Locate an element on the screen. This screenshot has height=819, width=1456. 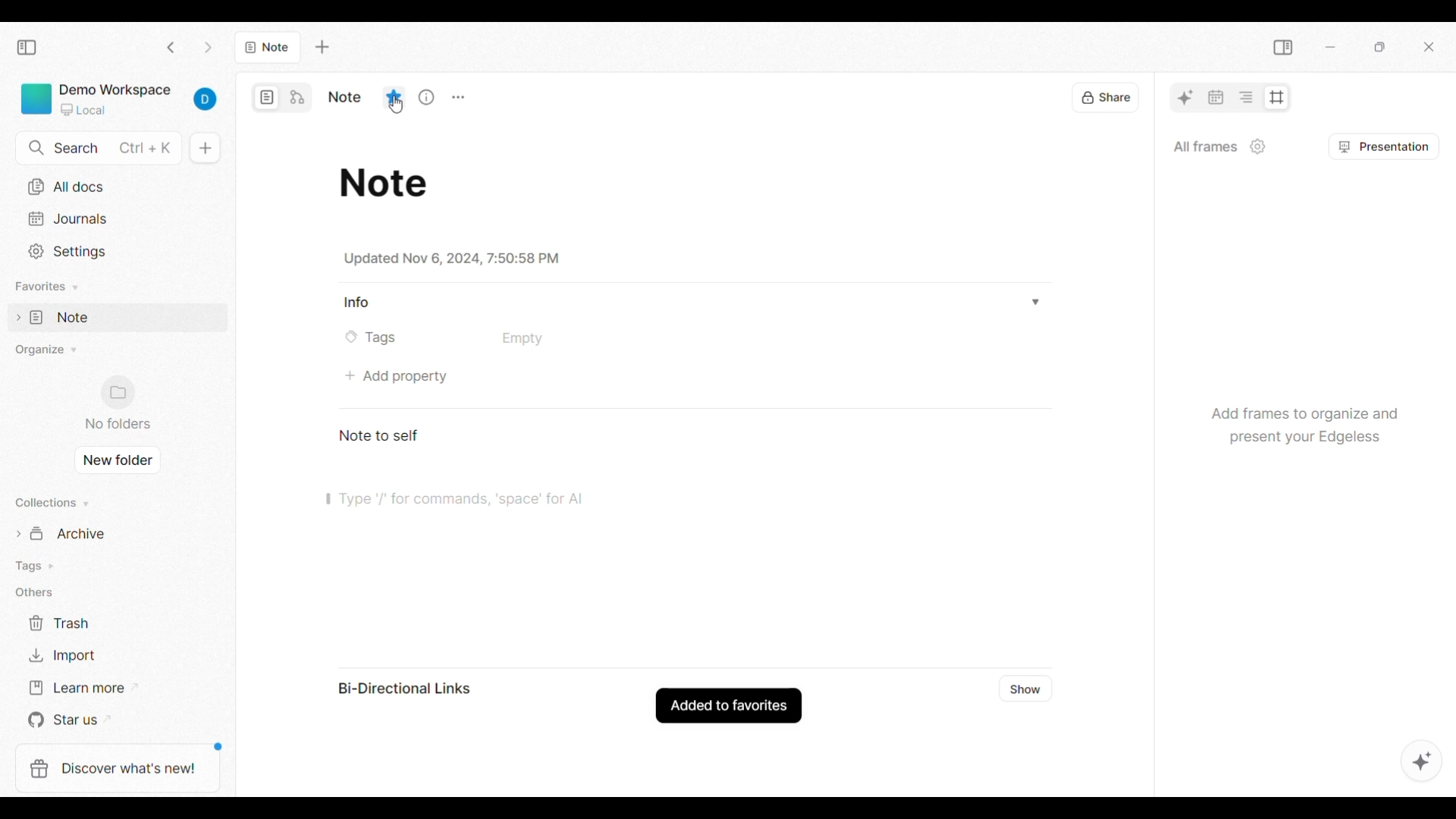
Ask AI is located at coordinates (1422, 761).